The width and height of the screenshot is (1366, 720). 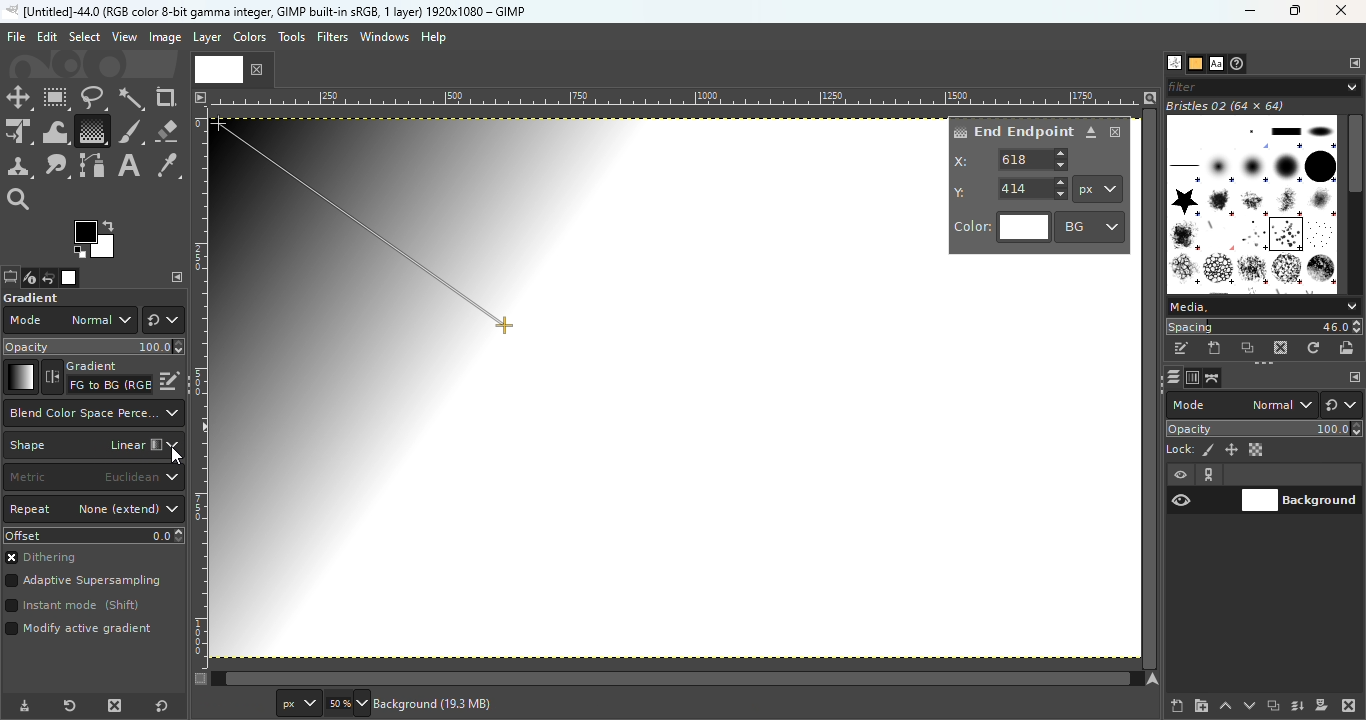 I want to click on Text tool, so click(x=129, y=166).